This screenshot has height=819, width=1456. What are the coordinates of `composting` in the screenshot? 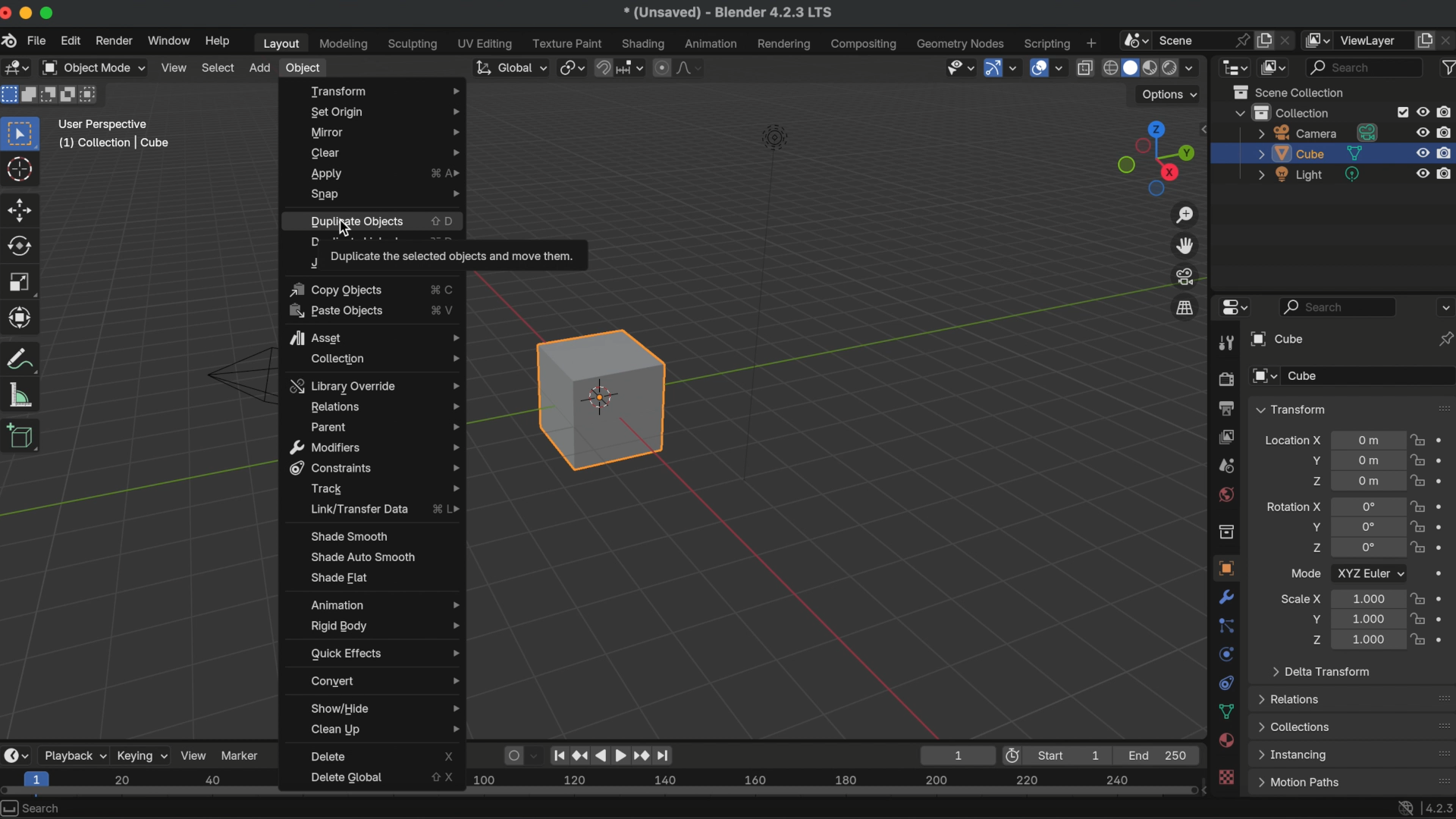 It's located at (866, 45).